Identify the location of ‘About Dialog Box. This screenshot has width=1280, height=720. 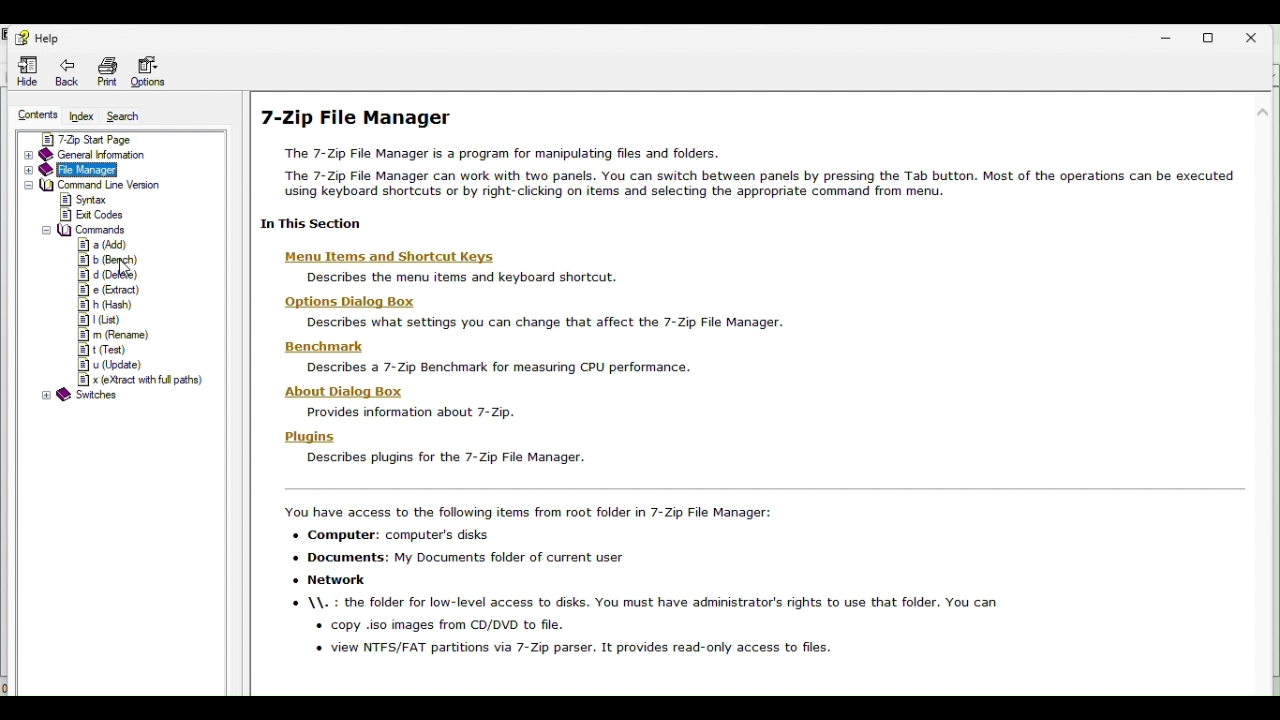
(337, 390).